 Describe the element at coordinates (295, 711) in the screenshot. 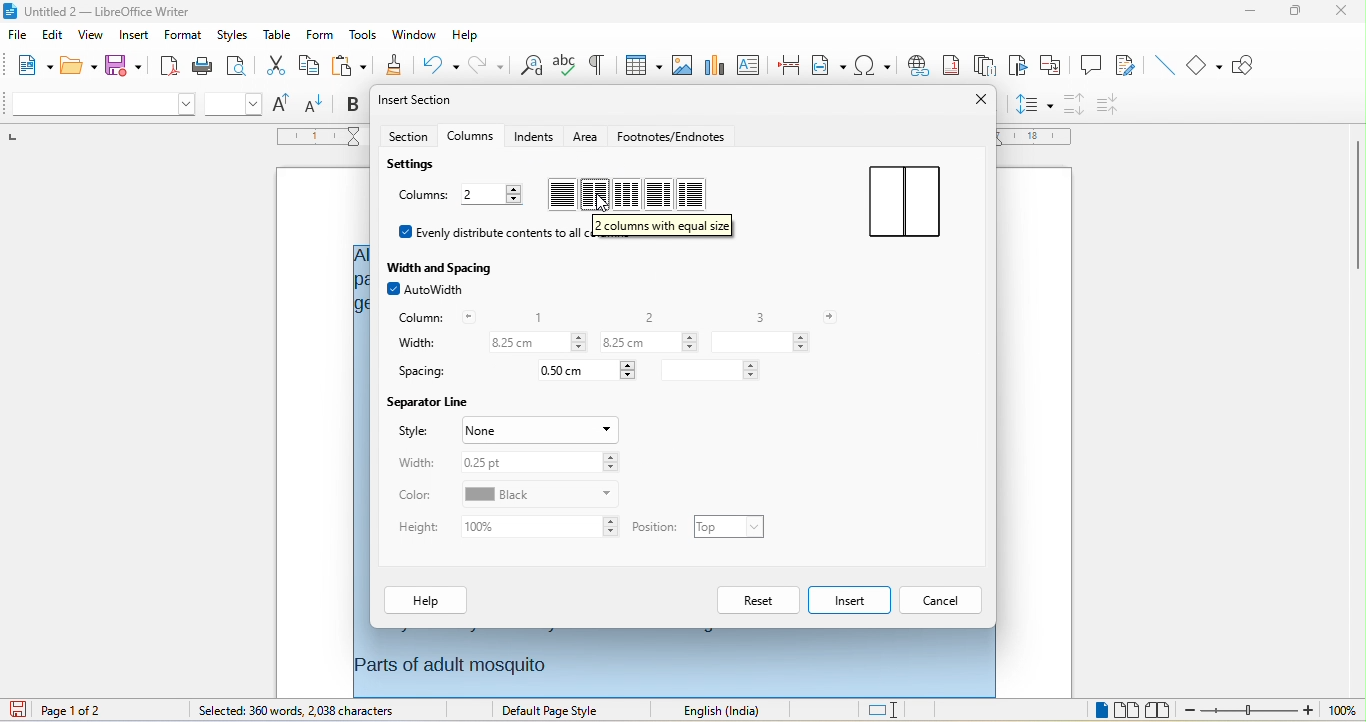

I see `selected: 360 words,2038 characters` at that location.